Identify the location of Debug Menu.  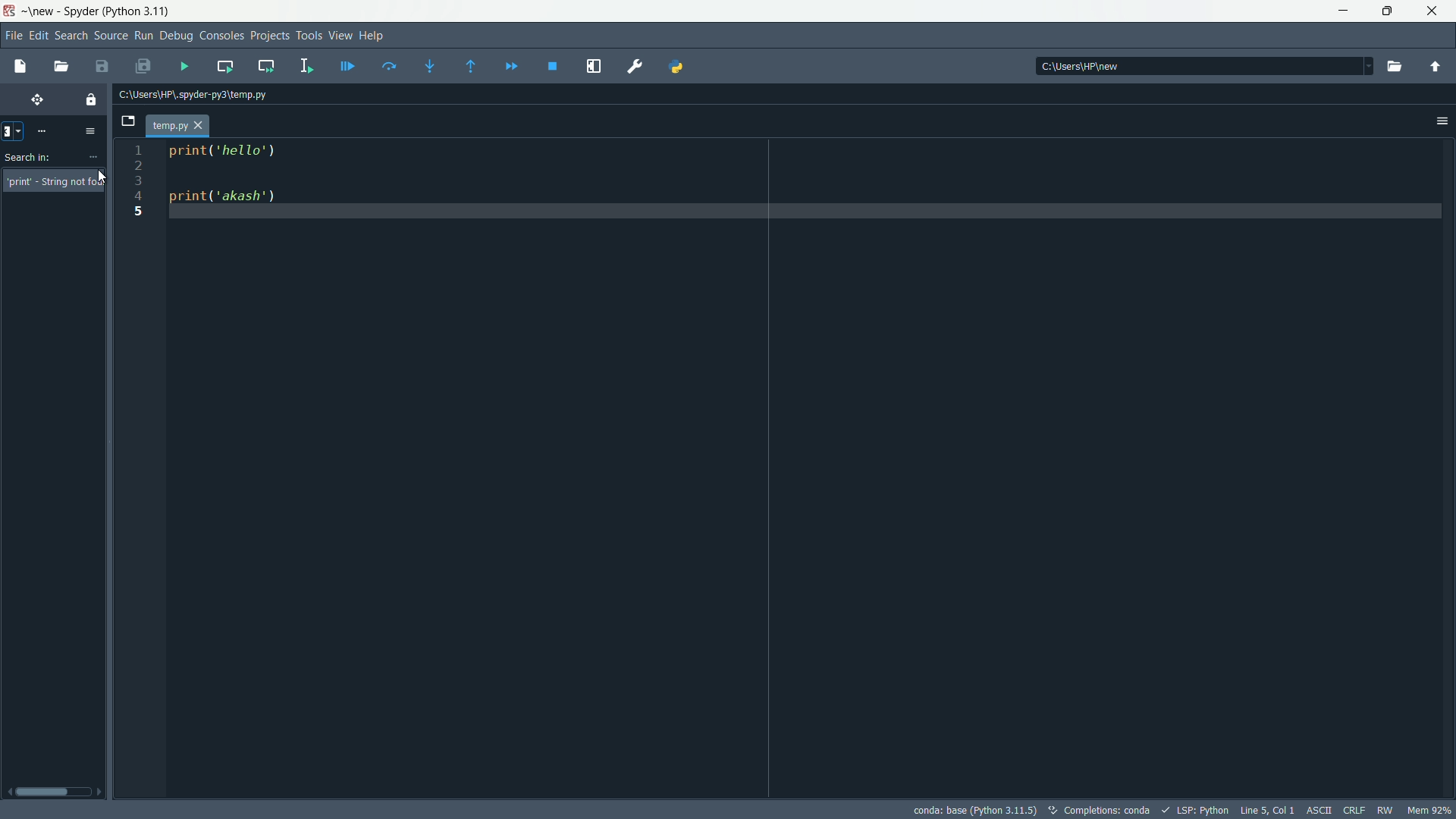
(175, 36).